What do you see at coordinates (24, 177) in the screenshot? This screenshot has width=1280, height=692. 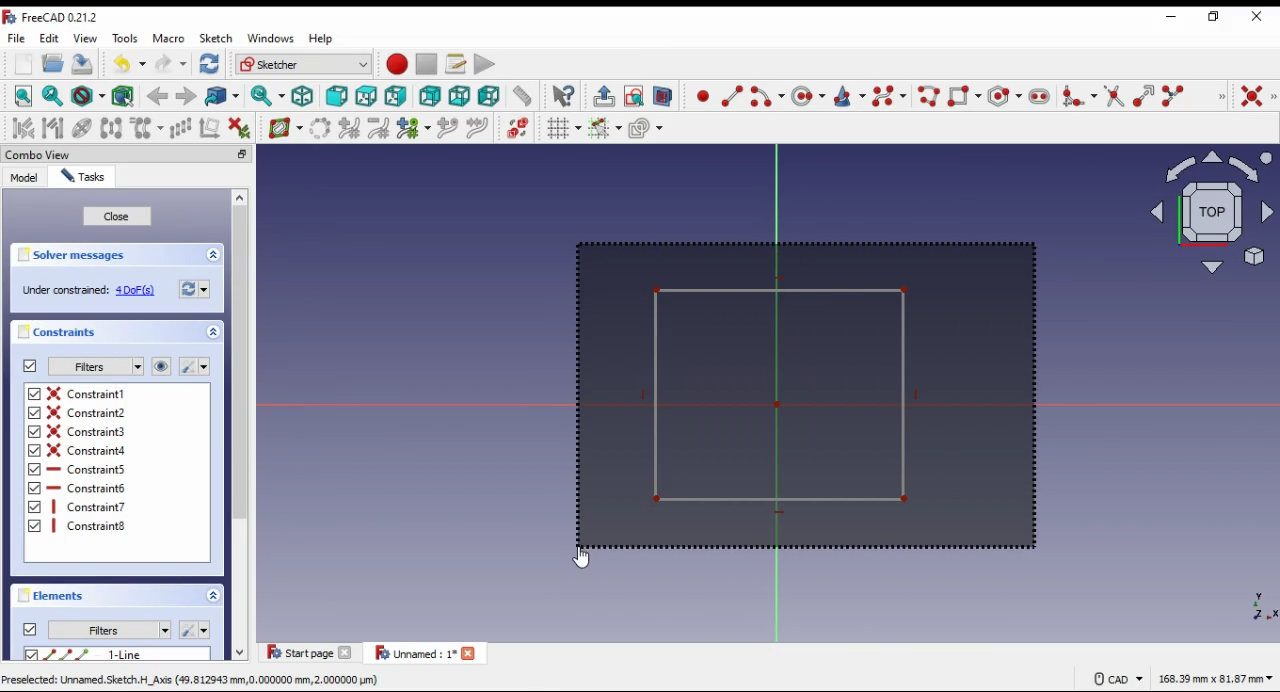 I see `model` at bounding box center [24, 177].